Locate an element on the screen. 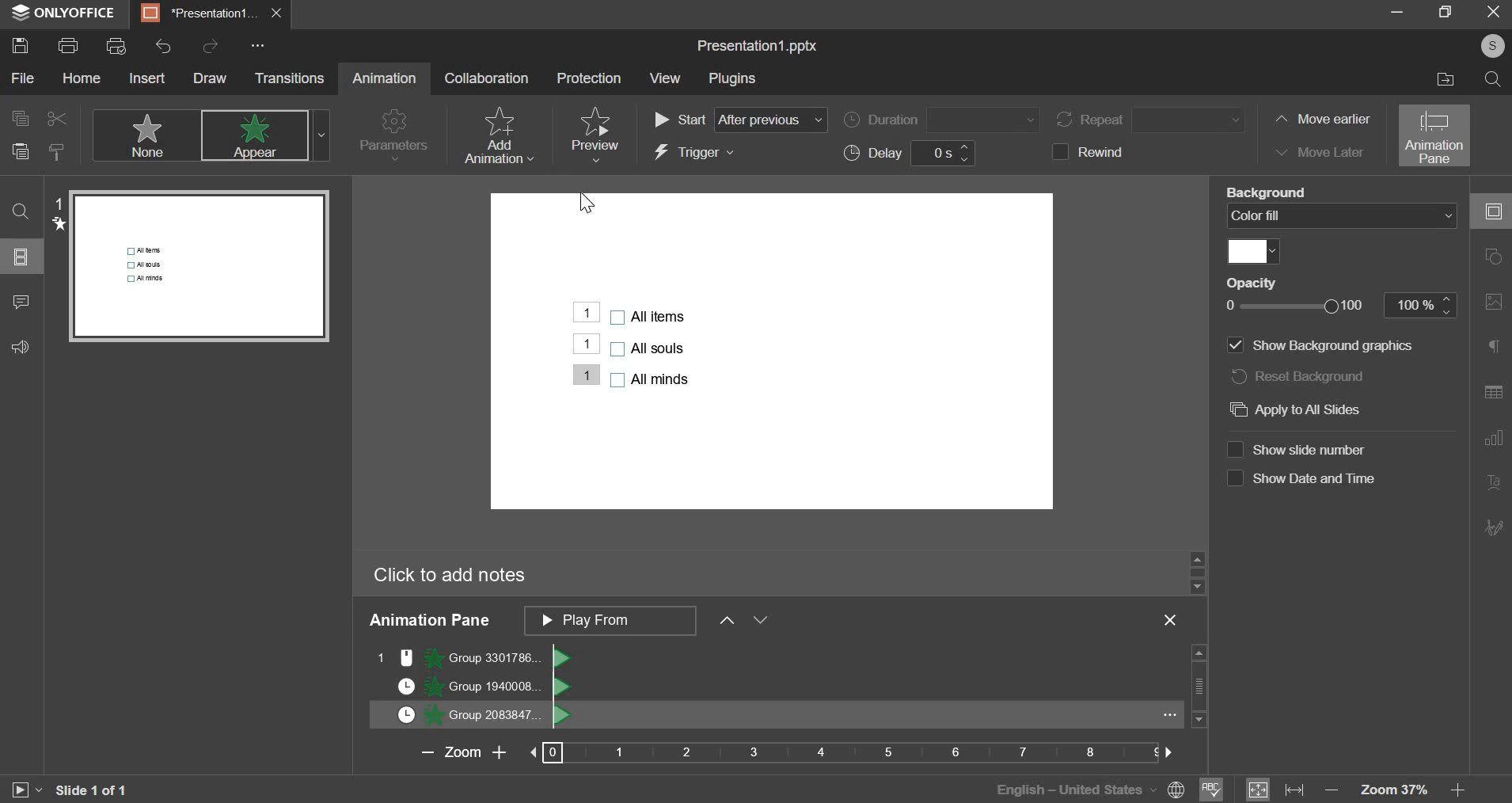 This screenshot has width=1512, height=803. opacity slider is located at coordinates (1334, 305).